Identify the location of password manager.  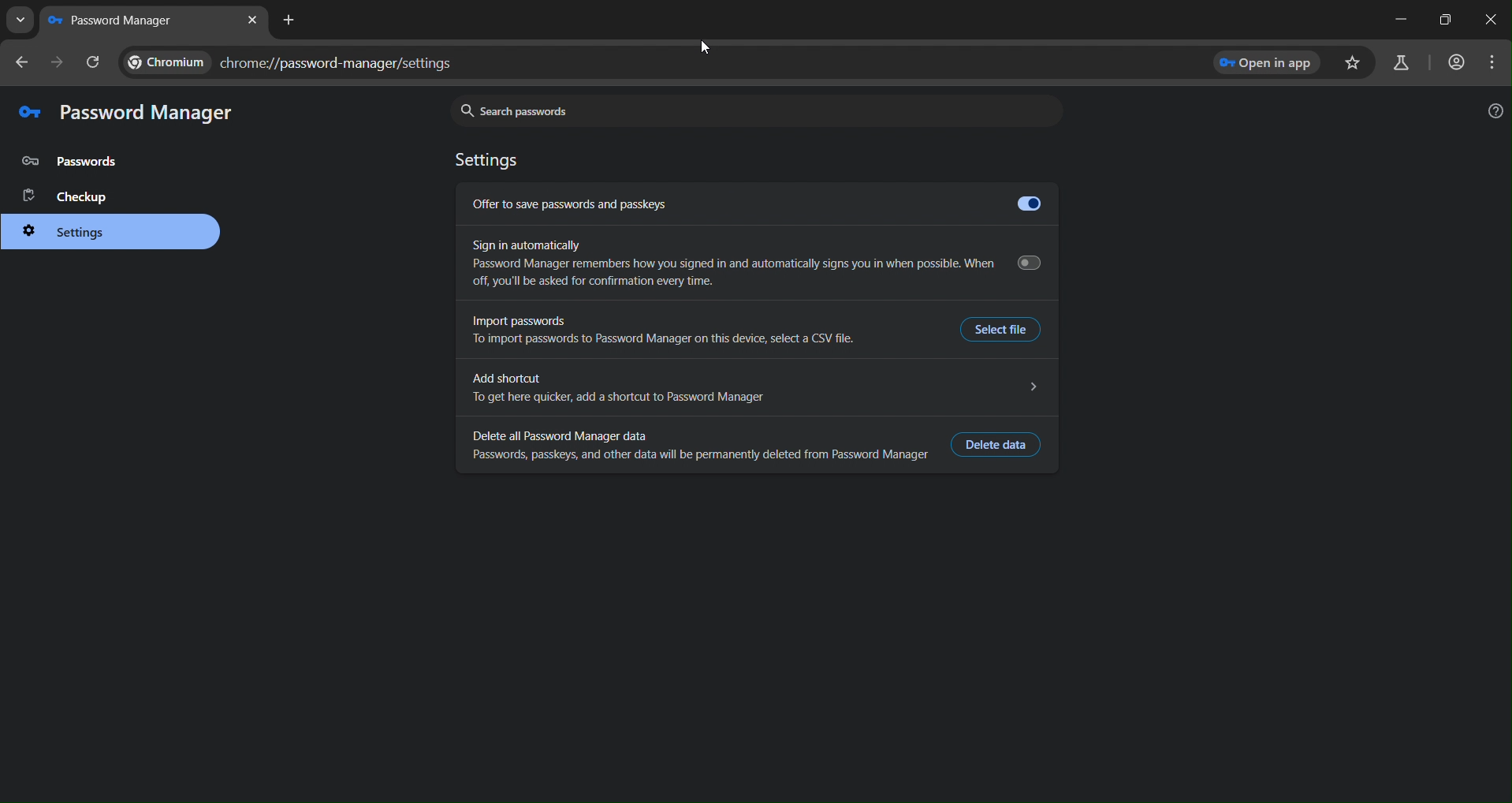
(117, 21).